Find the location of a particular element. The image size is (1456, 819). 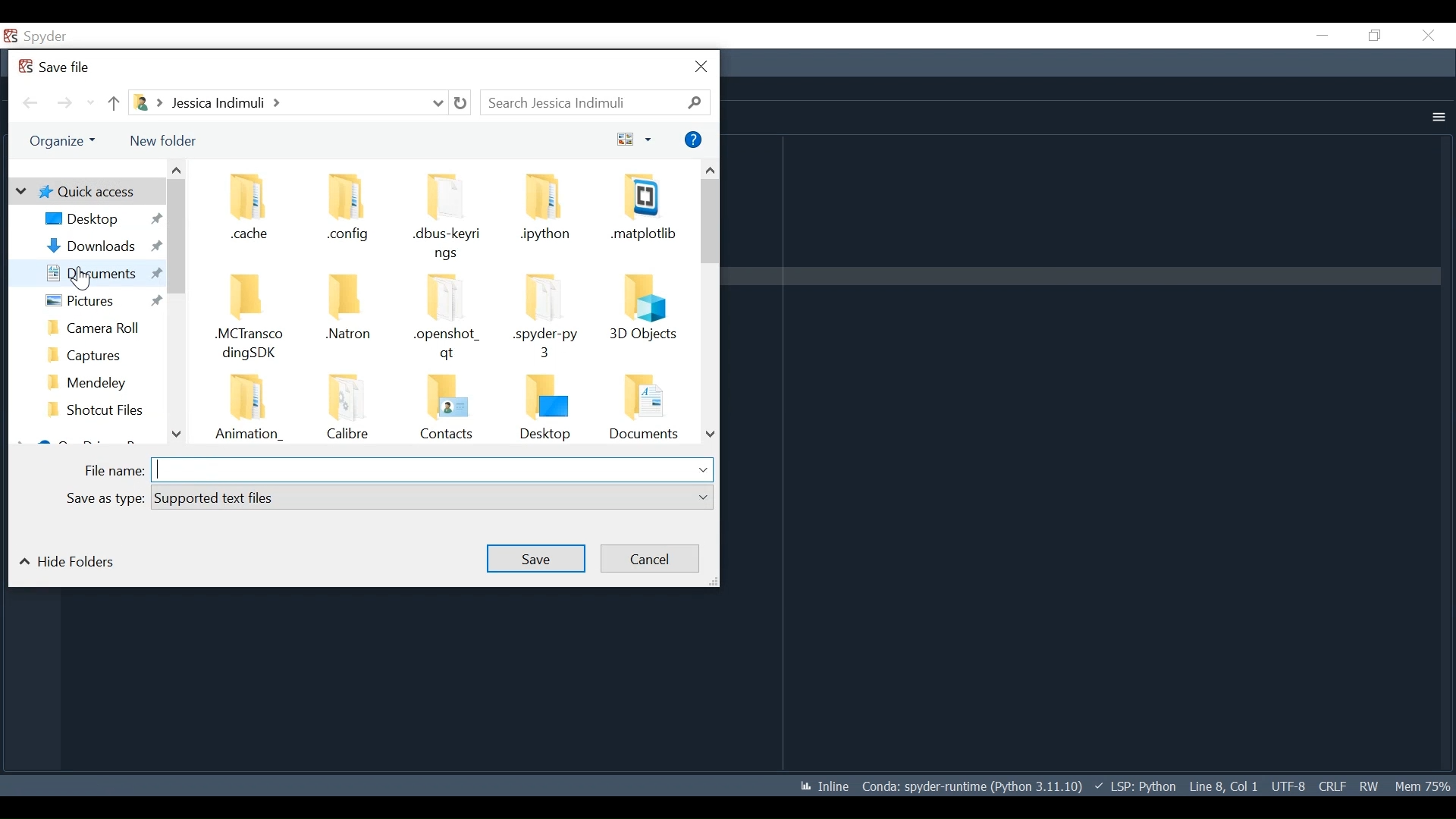

Cursor Position is located at coordinates (1223, 786).